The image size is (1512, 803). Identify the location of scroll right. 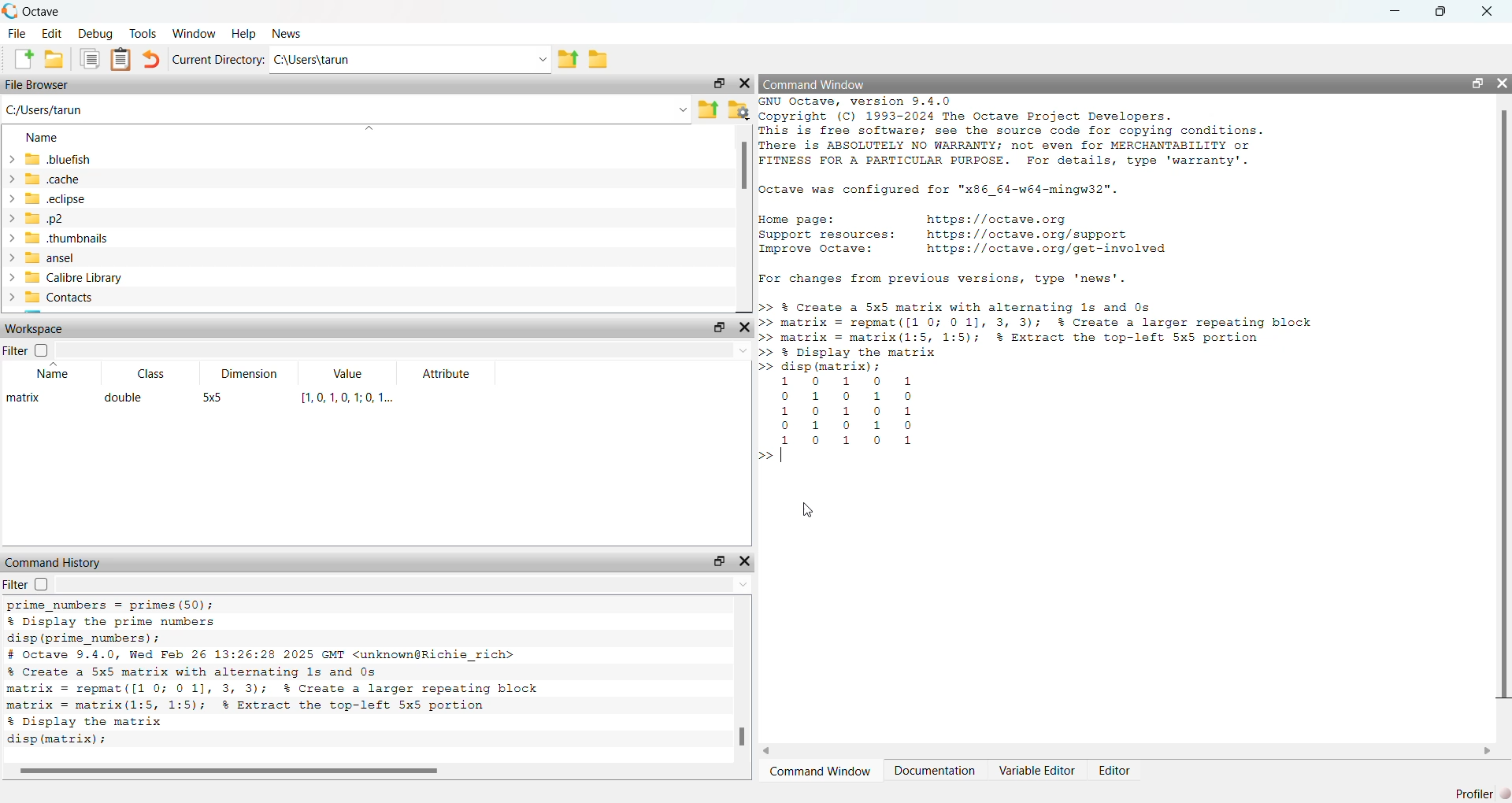
(1488, 751).